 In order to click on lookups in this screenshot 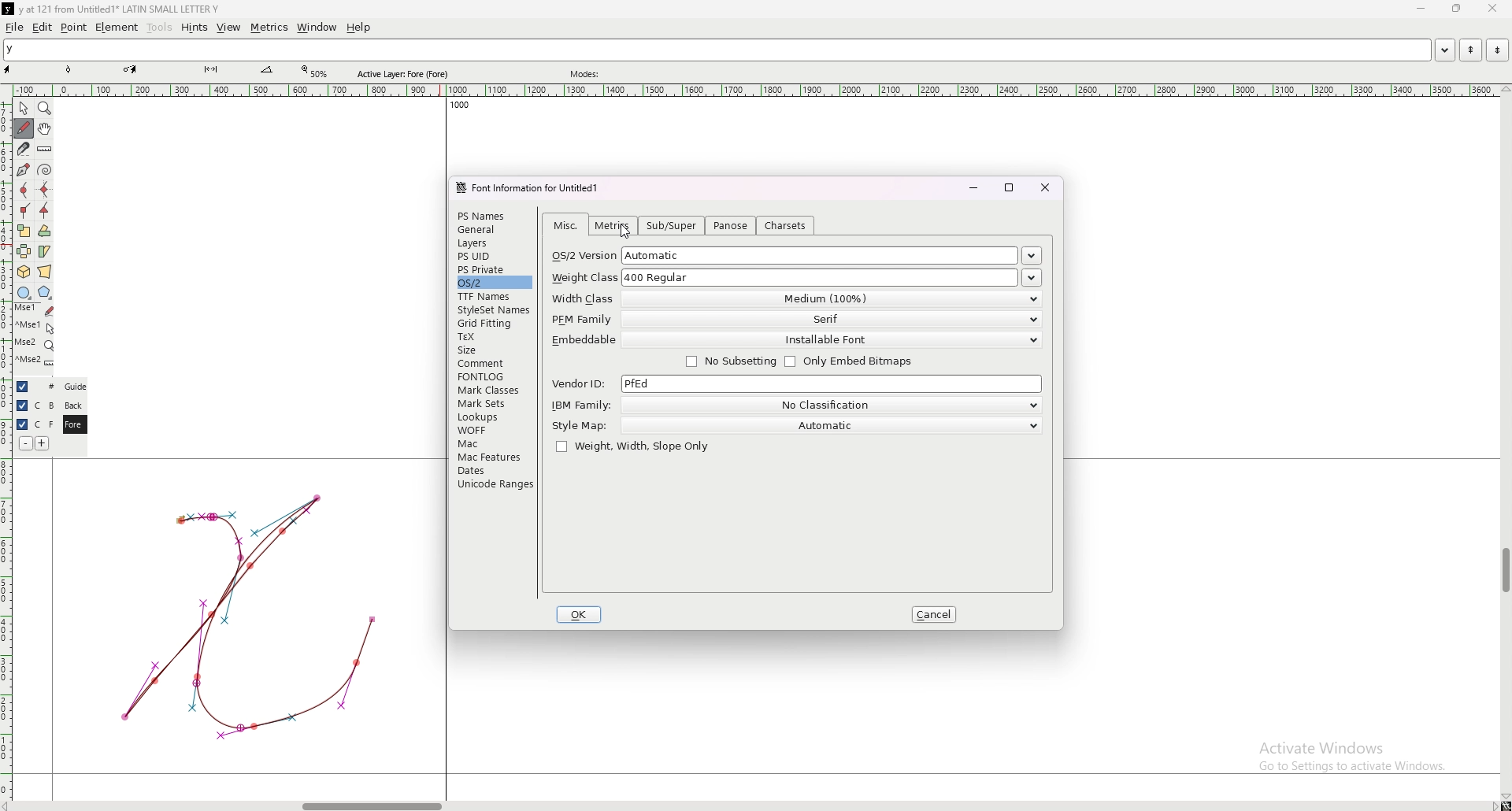, I will do `click(491, 417)`.